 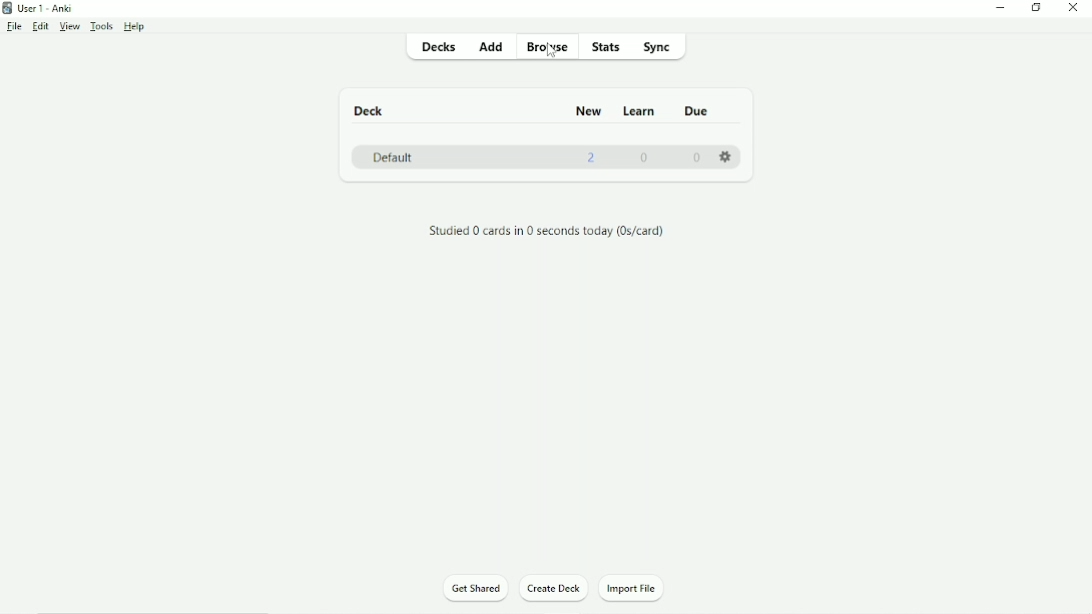 I want to click on Anki logo, so click(x=7, y=8).